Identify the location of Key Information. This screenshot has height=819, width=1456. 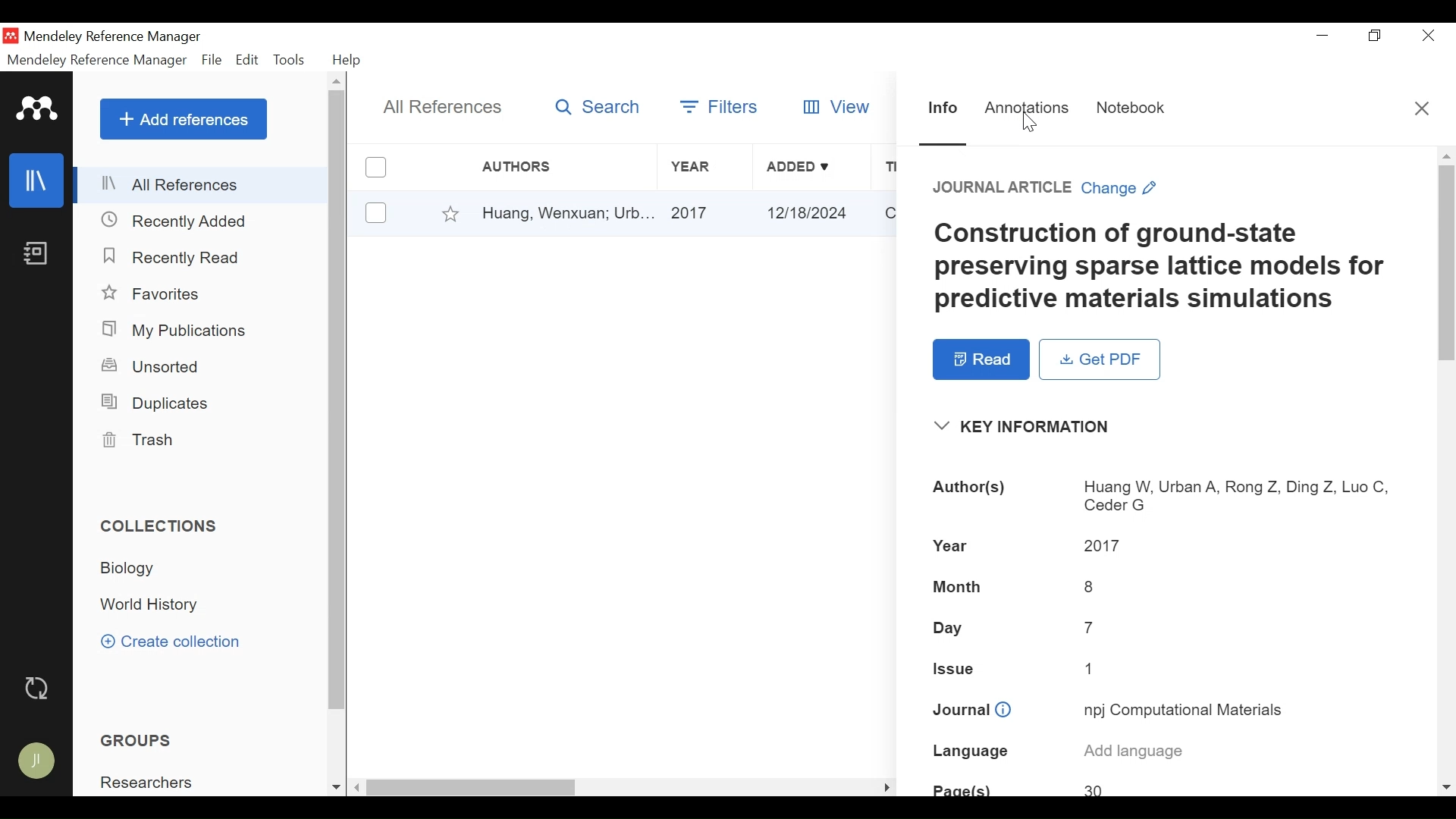
(1028, 427).